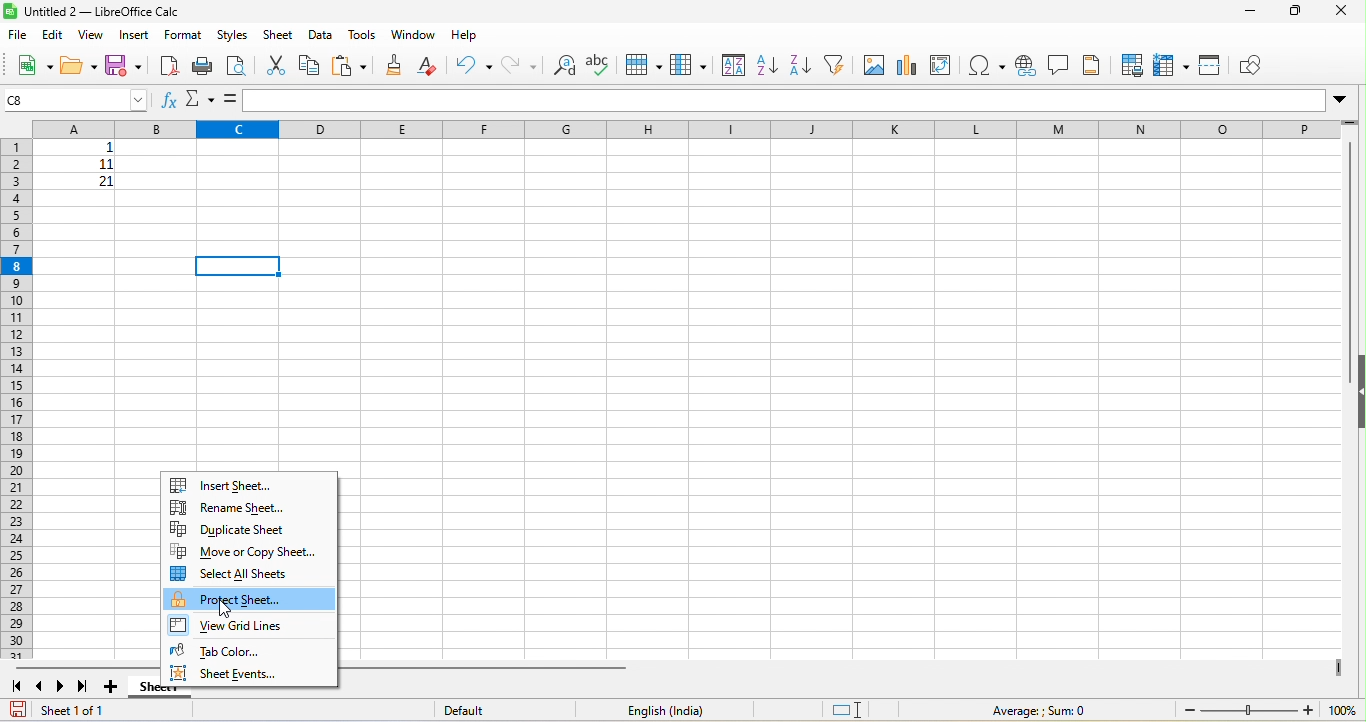 The width and height of the screenshot is (1366, 722). Describe the element at coordinates (1345, 11) in the screenshot. I see `close` at that location.